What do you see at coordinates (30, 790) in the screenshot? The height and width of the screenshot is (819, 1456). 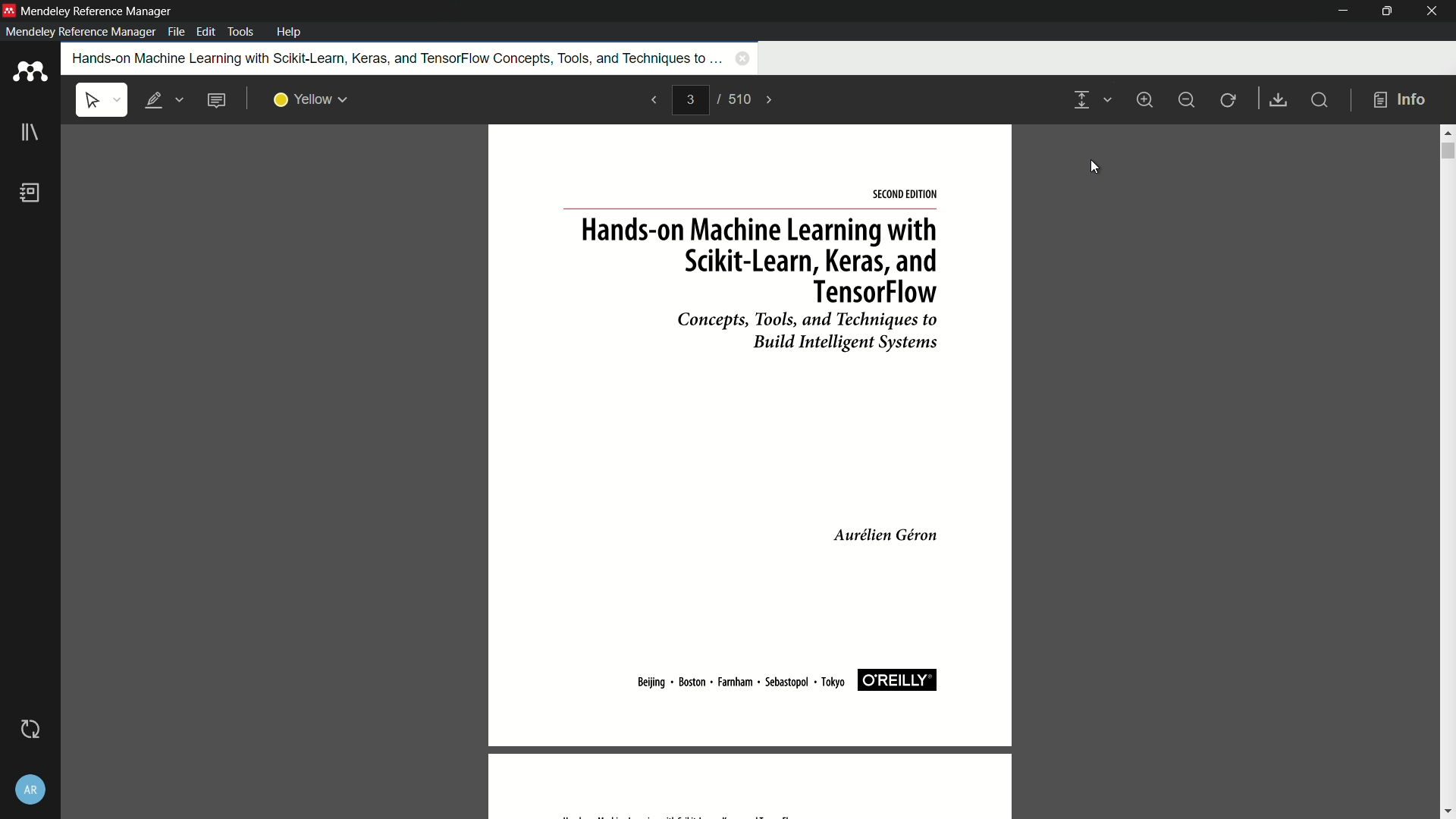 I see `account and settings` at bounding box center [30, 790].